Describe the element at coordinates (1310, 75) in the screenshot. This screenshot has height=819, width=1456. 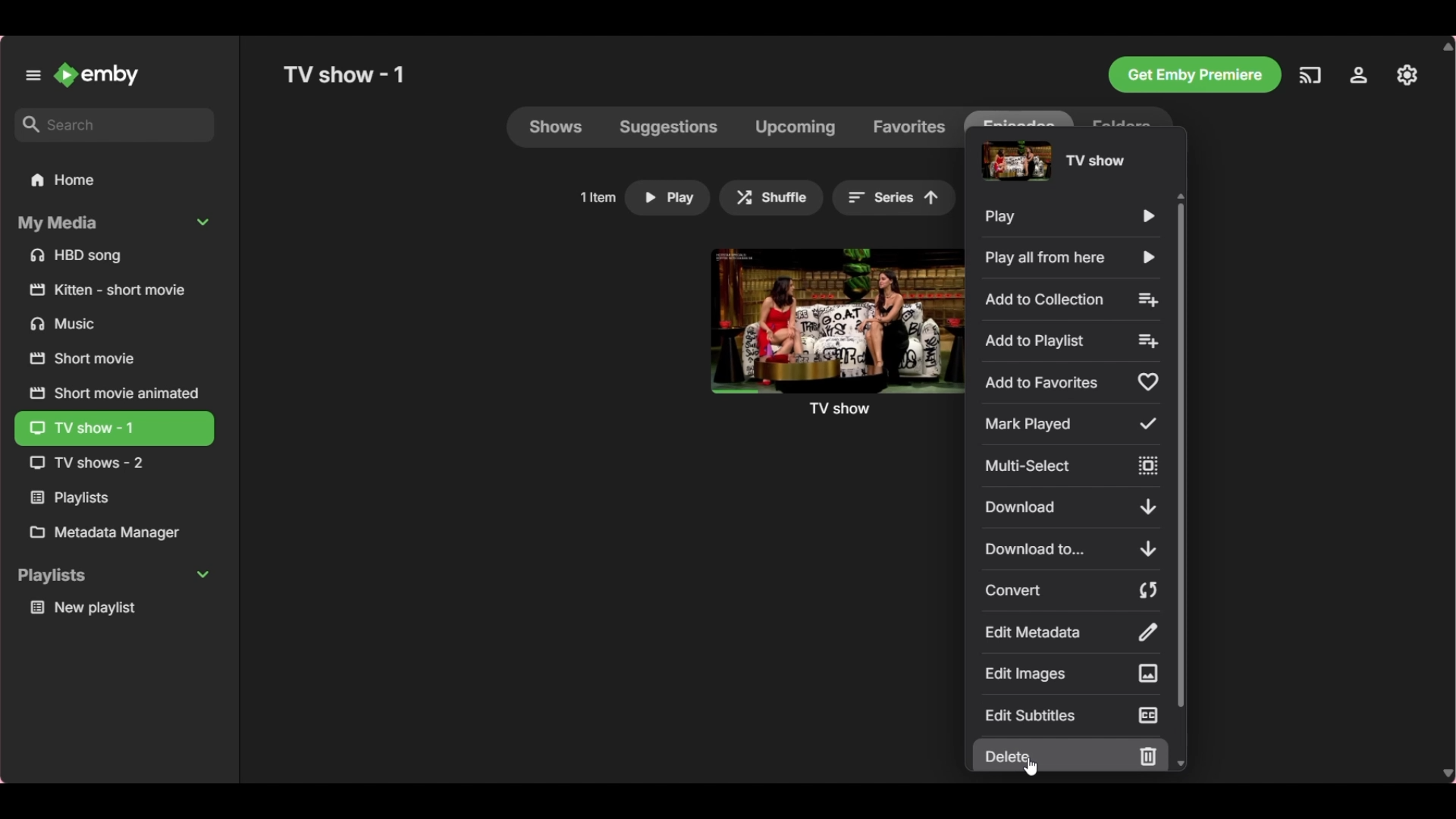
I see `Play on another device` at that location.